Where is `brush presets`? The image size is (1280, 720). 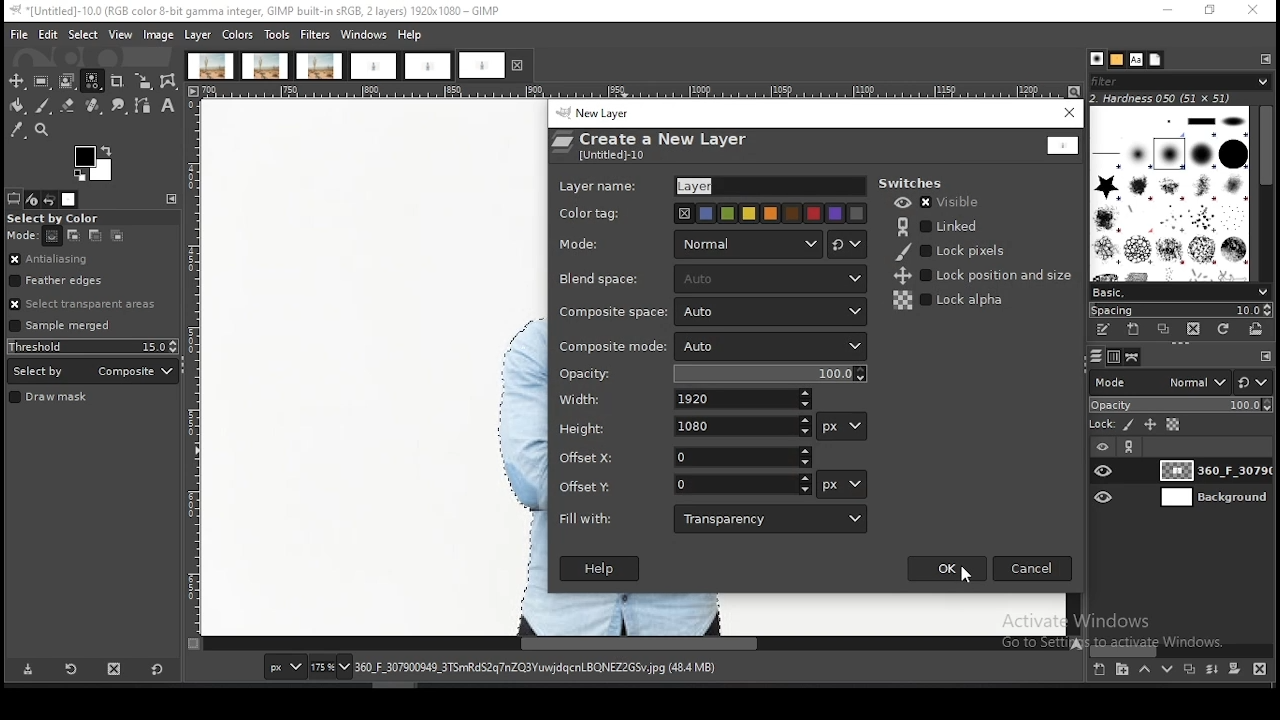
brush presets is located at coordinates (1179, 293).